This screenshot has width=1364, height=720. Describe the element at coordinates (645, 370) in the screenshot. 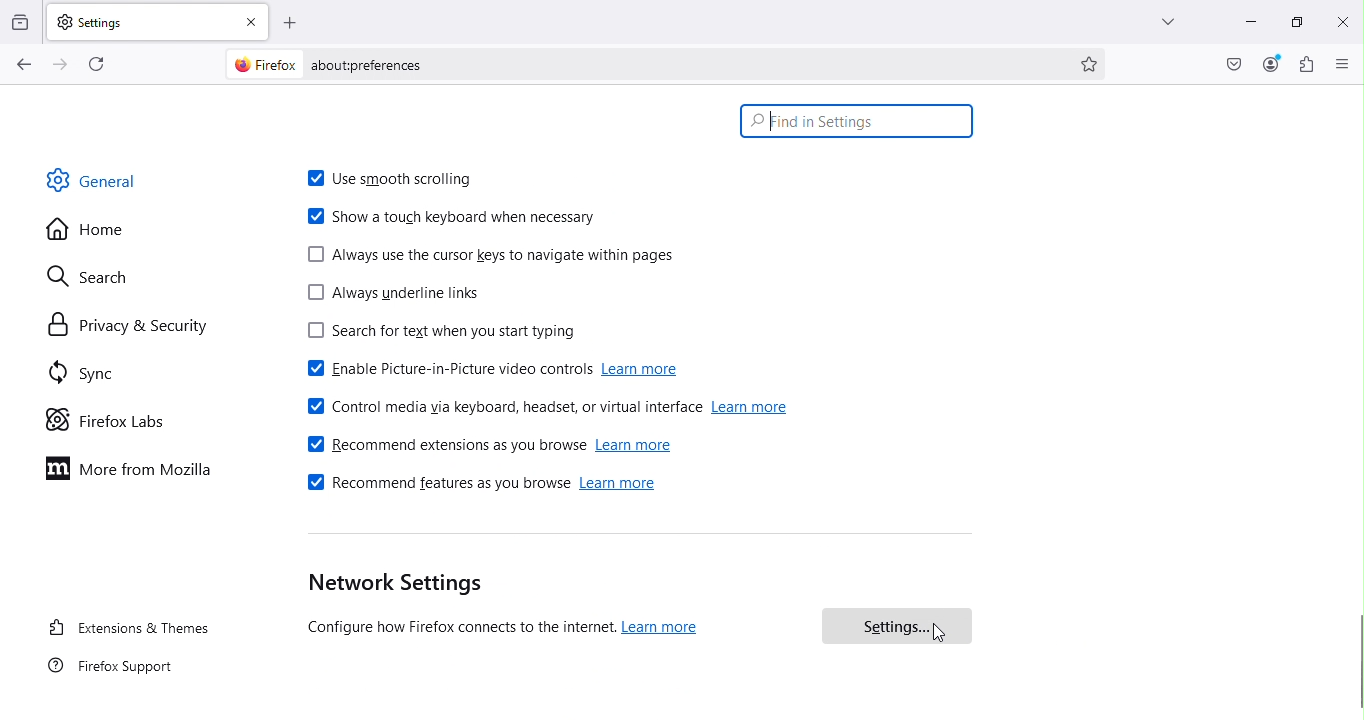

I see `learn more` at that location.